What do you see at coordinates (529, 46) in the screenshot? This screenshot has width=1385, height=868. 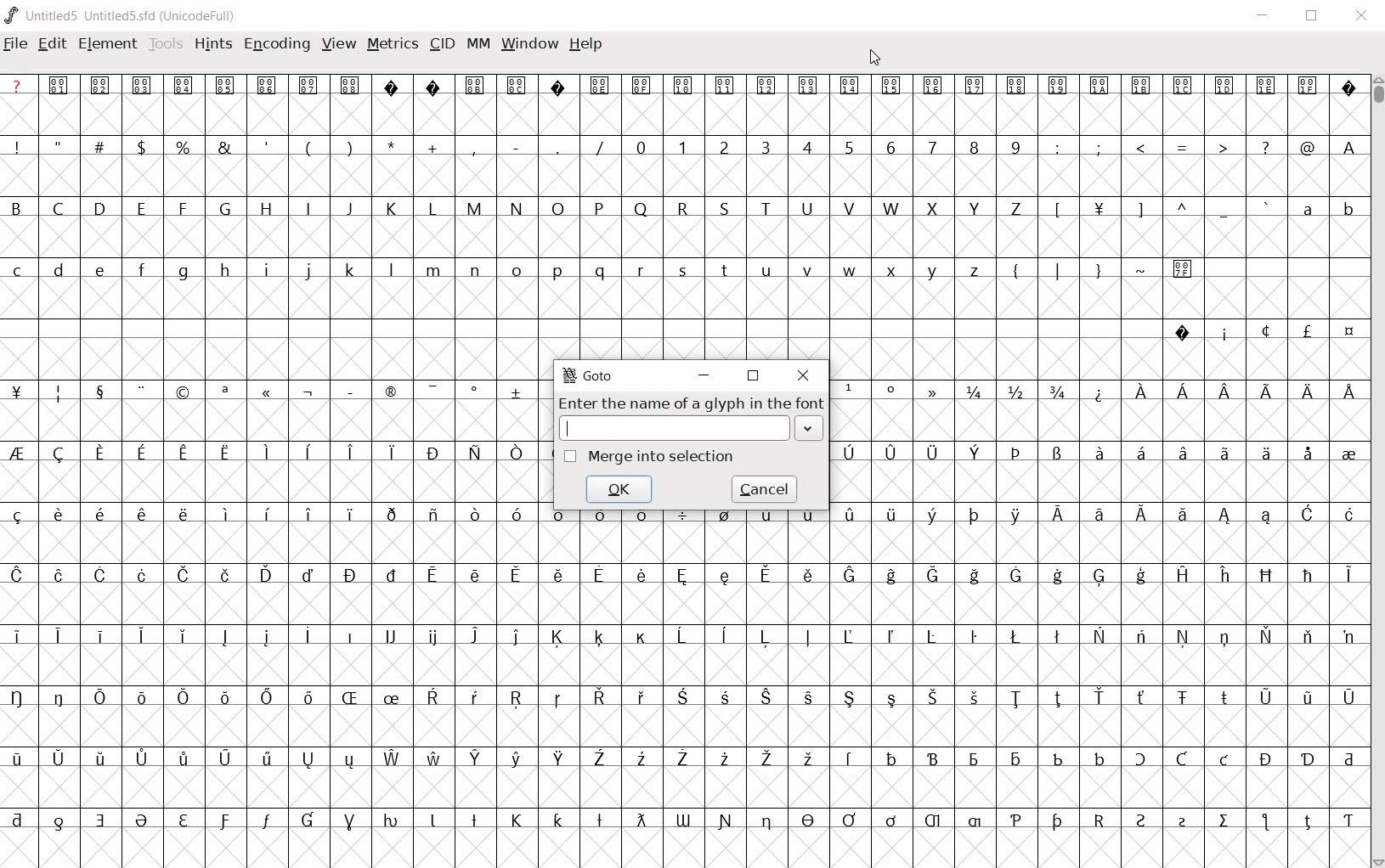 I see `WINDOW` at bounding box center [529, 46].